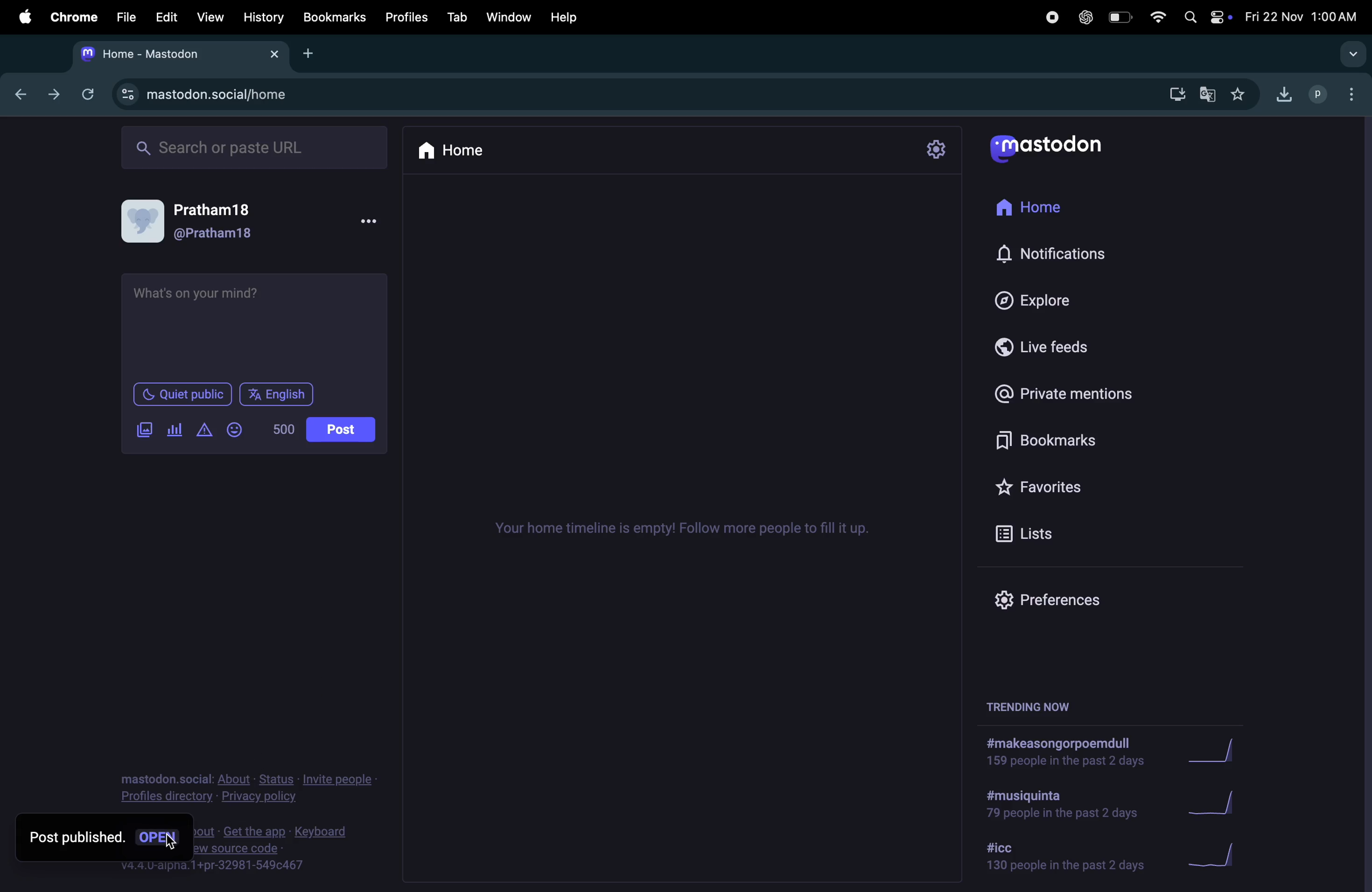 This screenshot has width=1372, height=892. I want to click on post, so click(339, 430).